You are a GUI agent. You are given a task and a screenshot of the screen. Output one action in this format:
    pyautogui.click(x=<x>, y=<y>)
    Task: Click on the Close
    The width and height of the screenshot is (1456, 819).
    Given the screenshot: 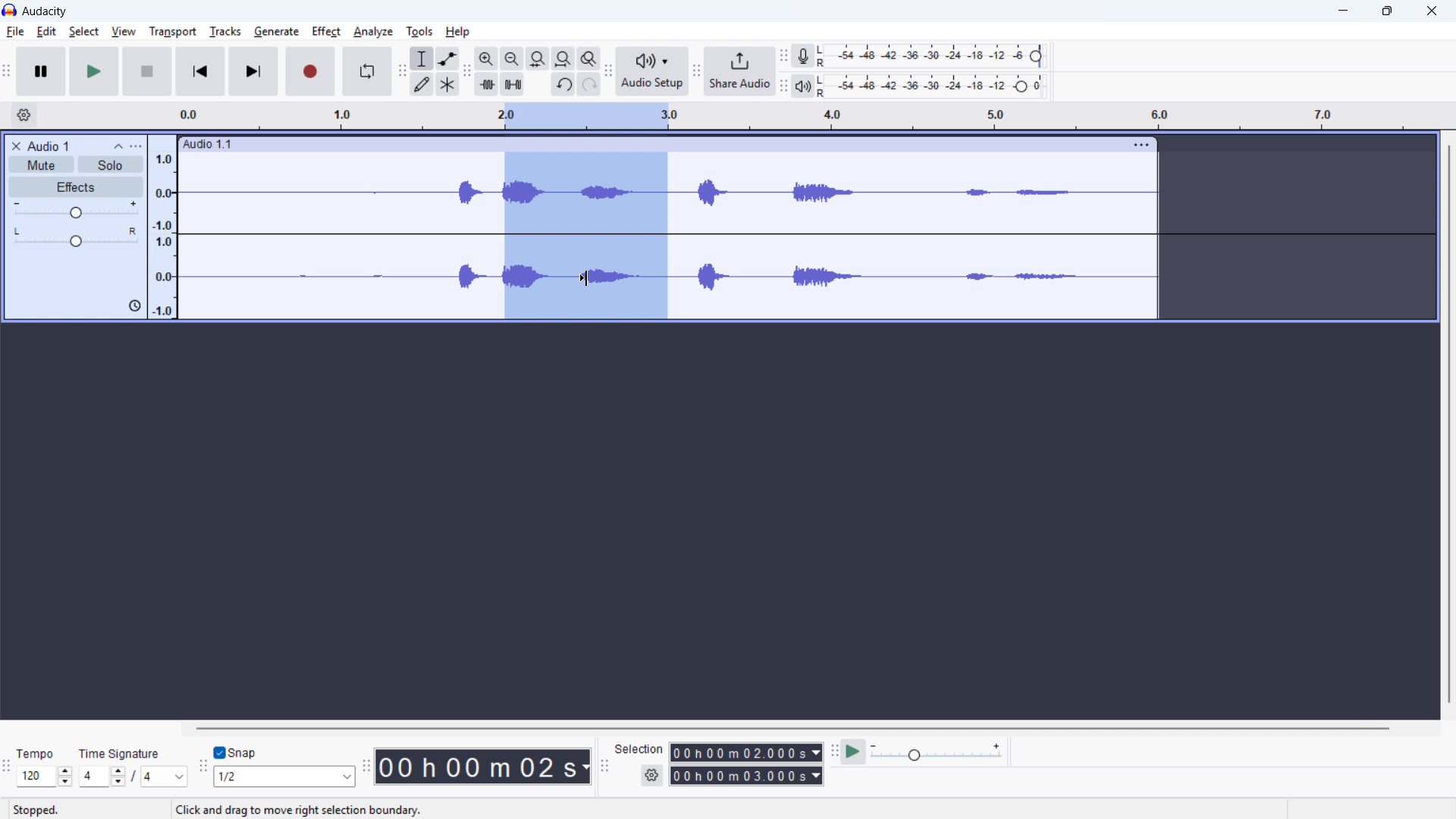 What is the action you would take?
    pyautogui.click(x=1430, y=11)
    